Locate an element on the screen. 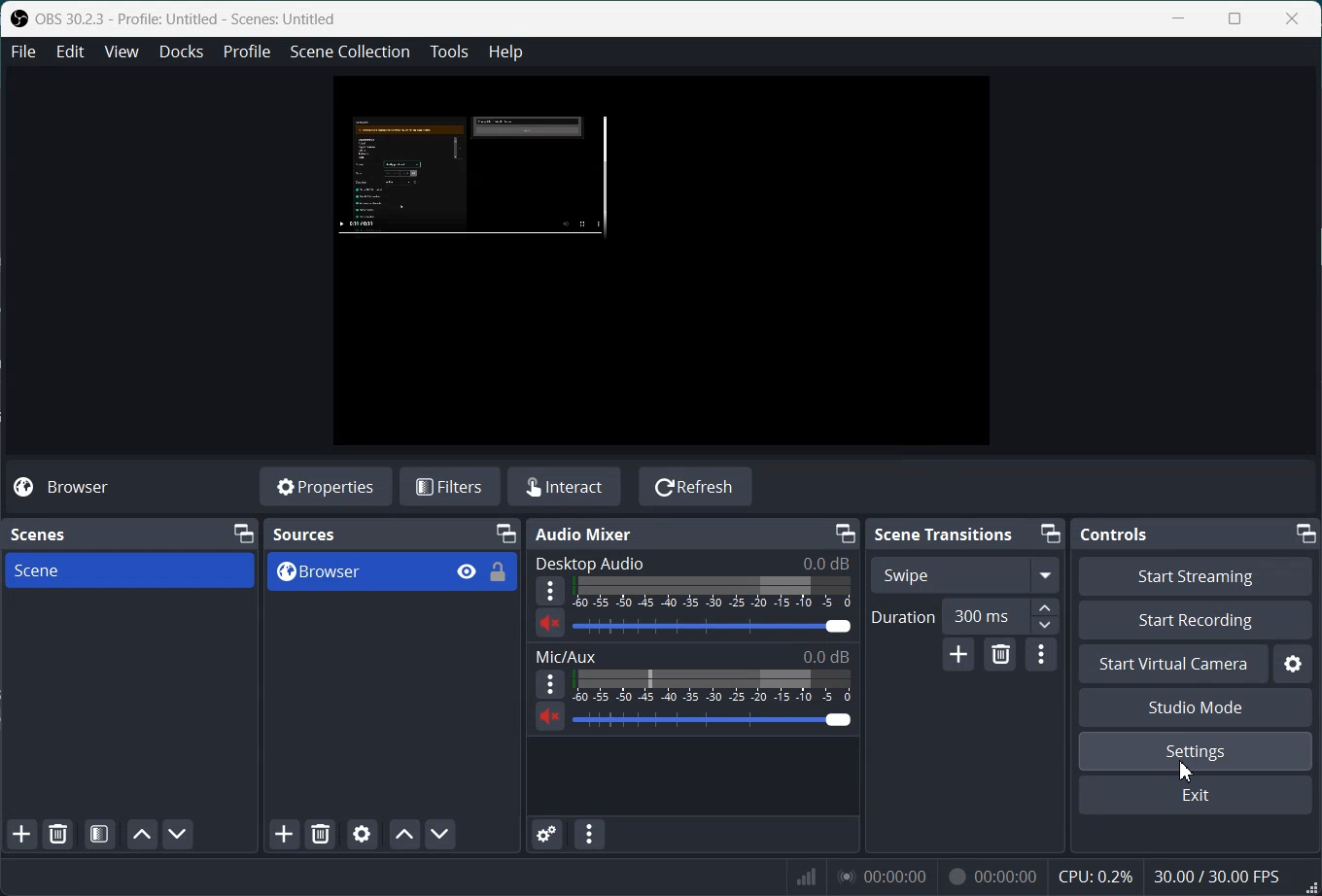  Move Source Up is located at coordinates (405, 834).